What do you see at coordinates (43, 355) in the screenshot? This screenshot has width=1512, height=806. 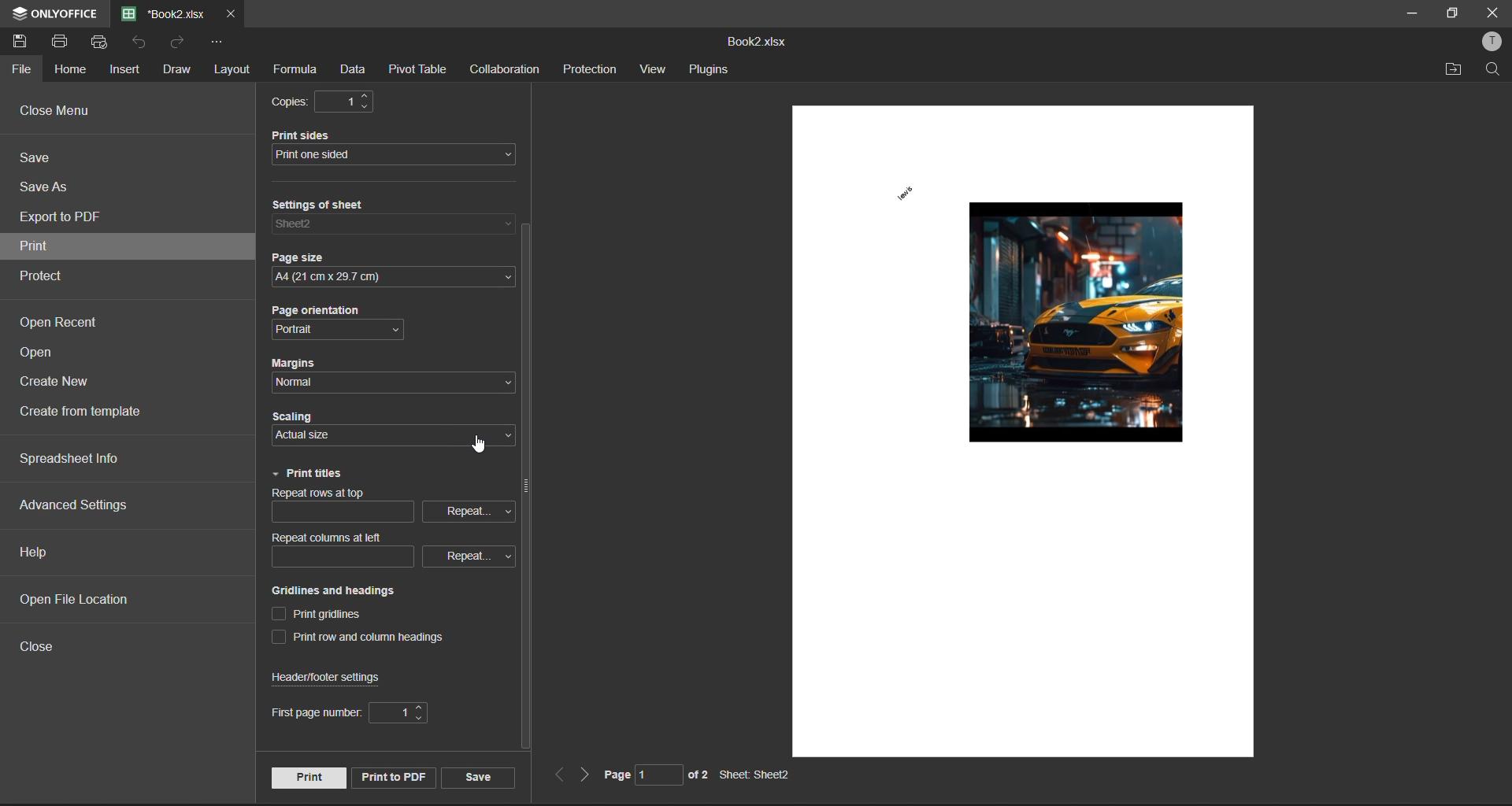 I see `open` at bounding box center [43, 355].